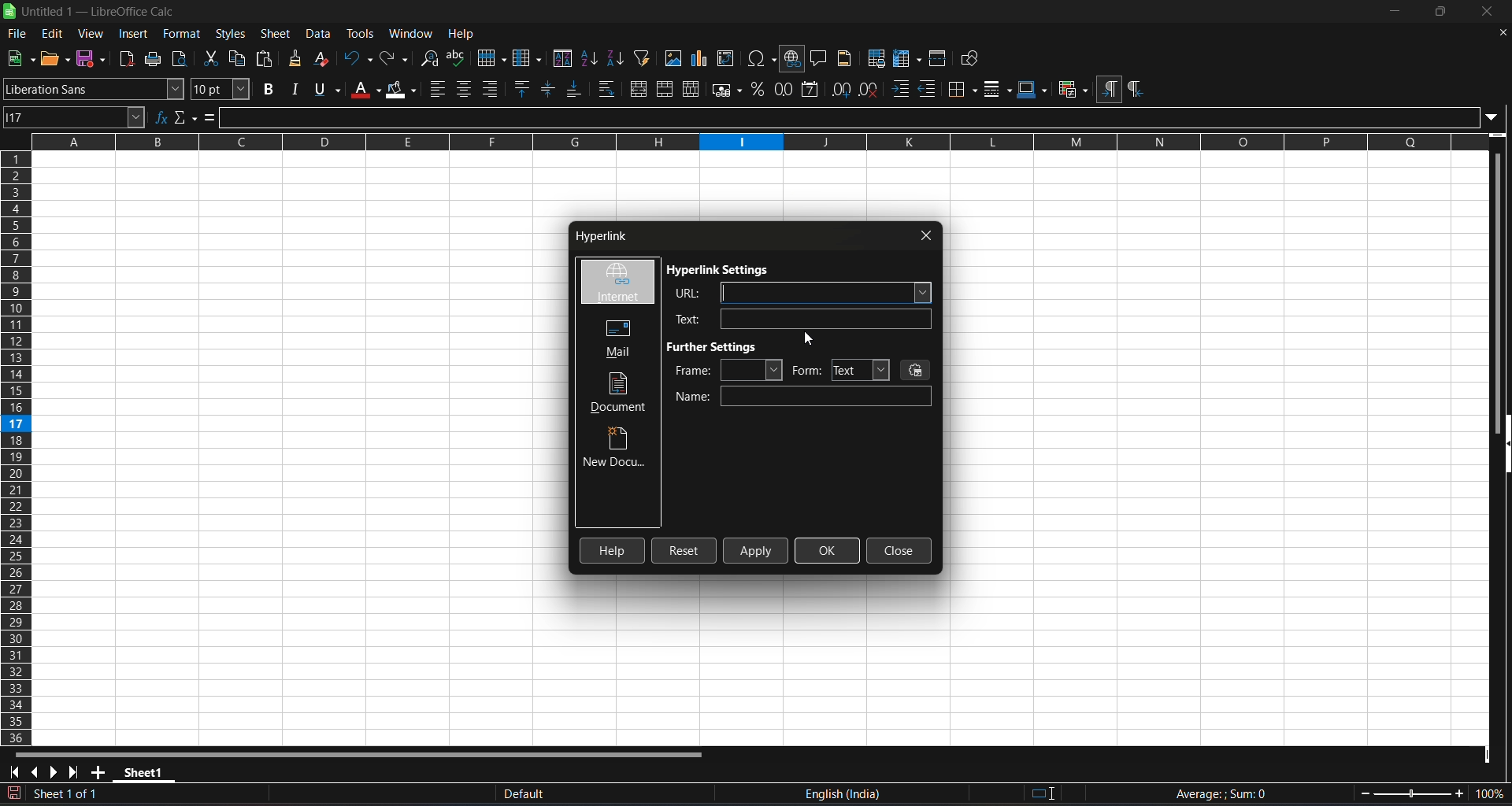 The height and width of the screenshot is (806, 1512). Describe the element at coordinates (76, 117) in the screenshot. I see `name box` at that location.